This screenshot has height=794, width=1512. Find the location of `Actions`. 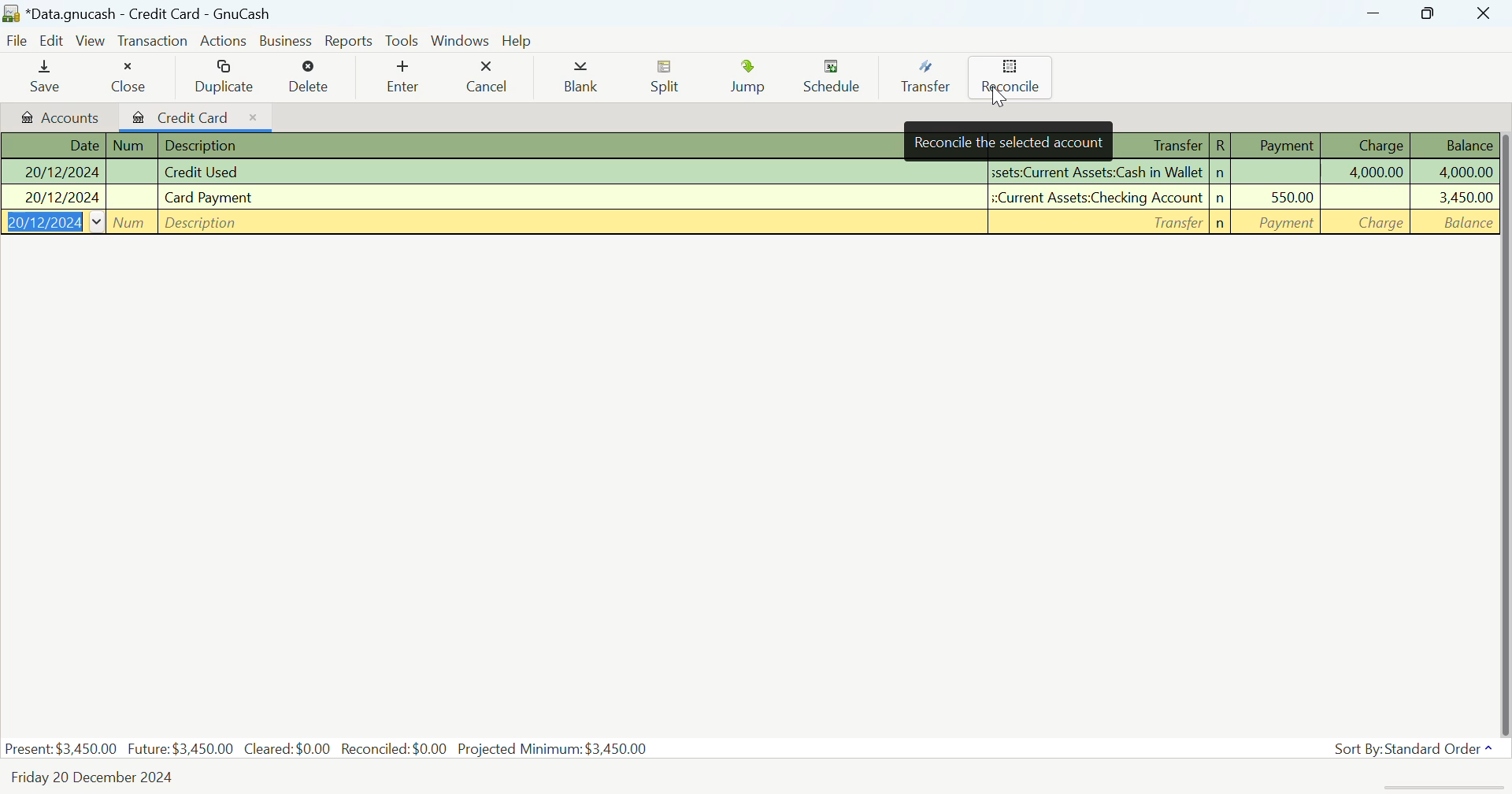

Actions is located at coordinates (220, 39).